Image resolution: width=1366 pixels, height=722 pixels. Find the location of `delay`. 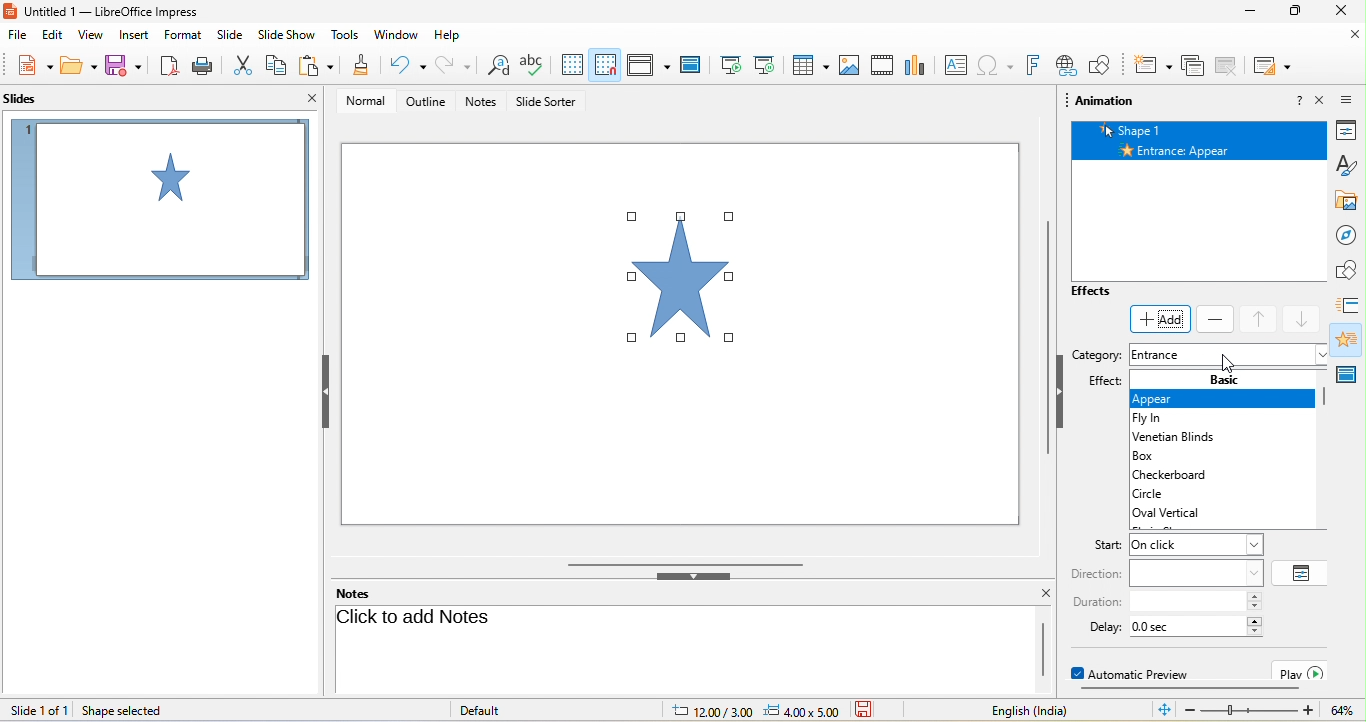

delay is located at coordinates (1098, 626).